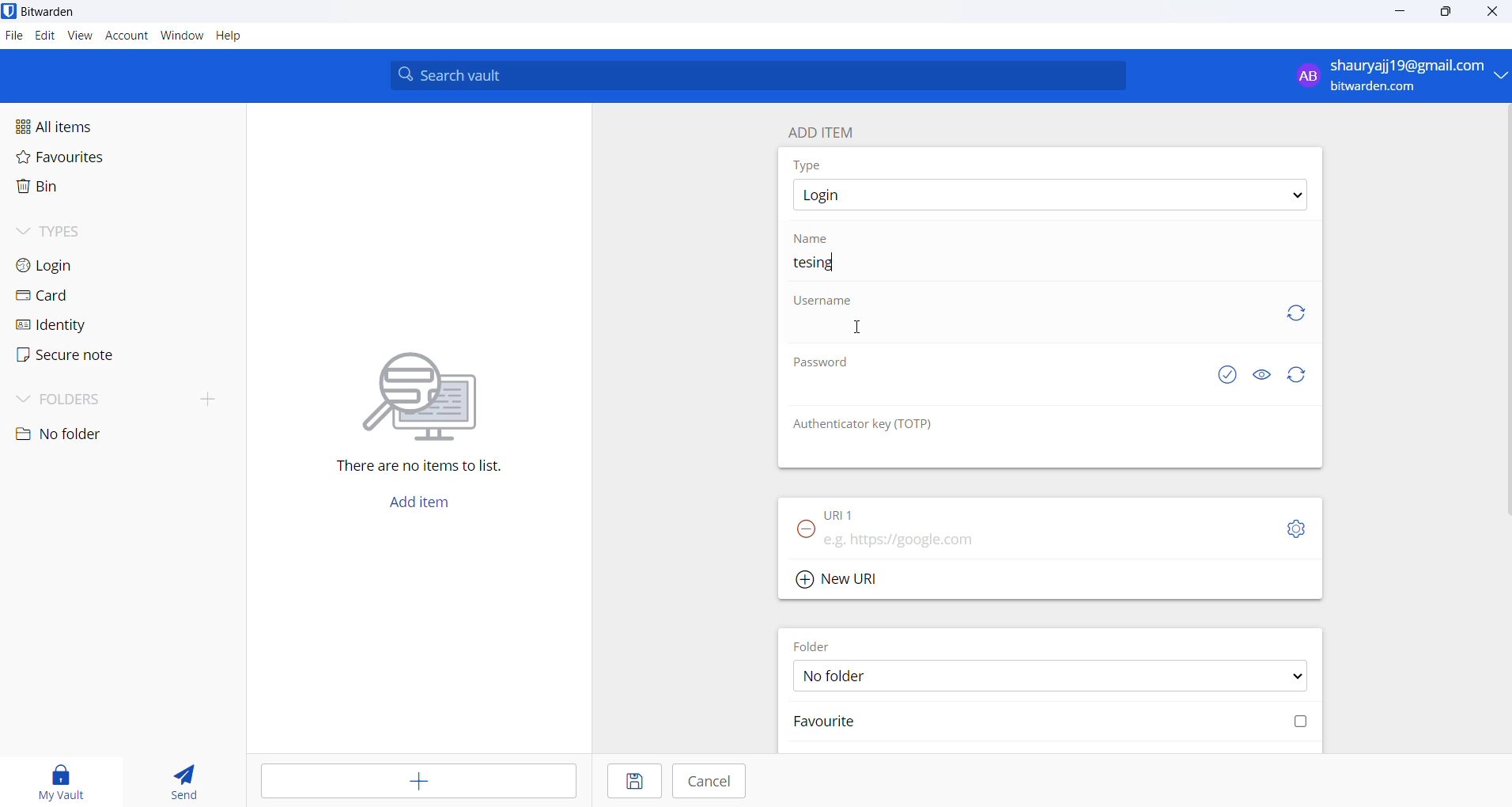  Describe the element at coordinates (801, 534) in the screenshot. I see `Remove URL` at that location.